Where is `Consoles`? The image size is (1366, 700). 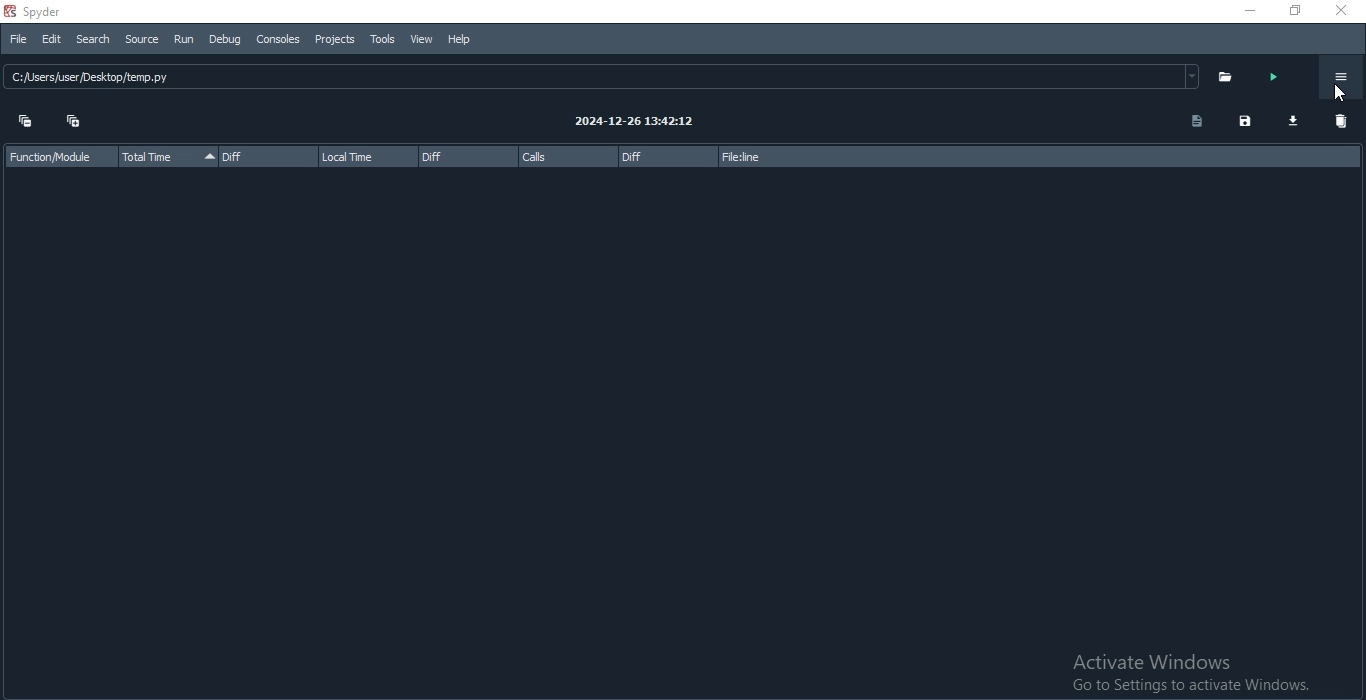
Consoles is located at coordinates (280, 40).